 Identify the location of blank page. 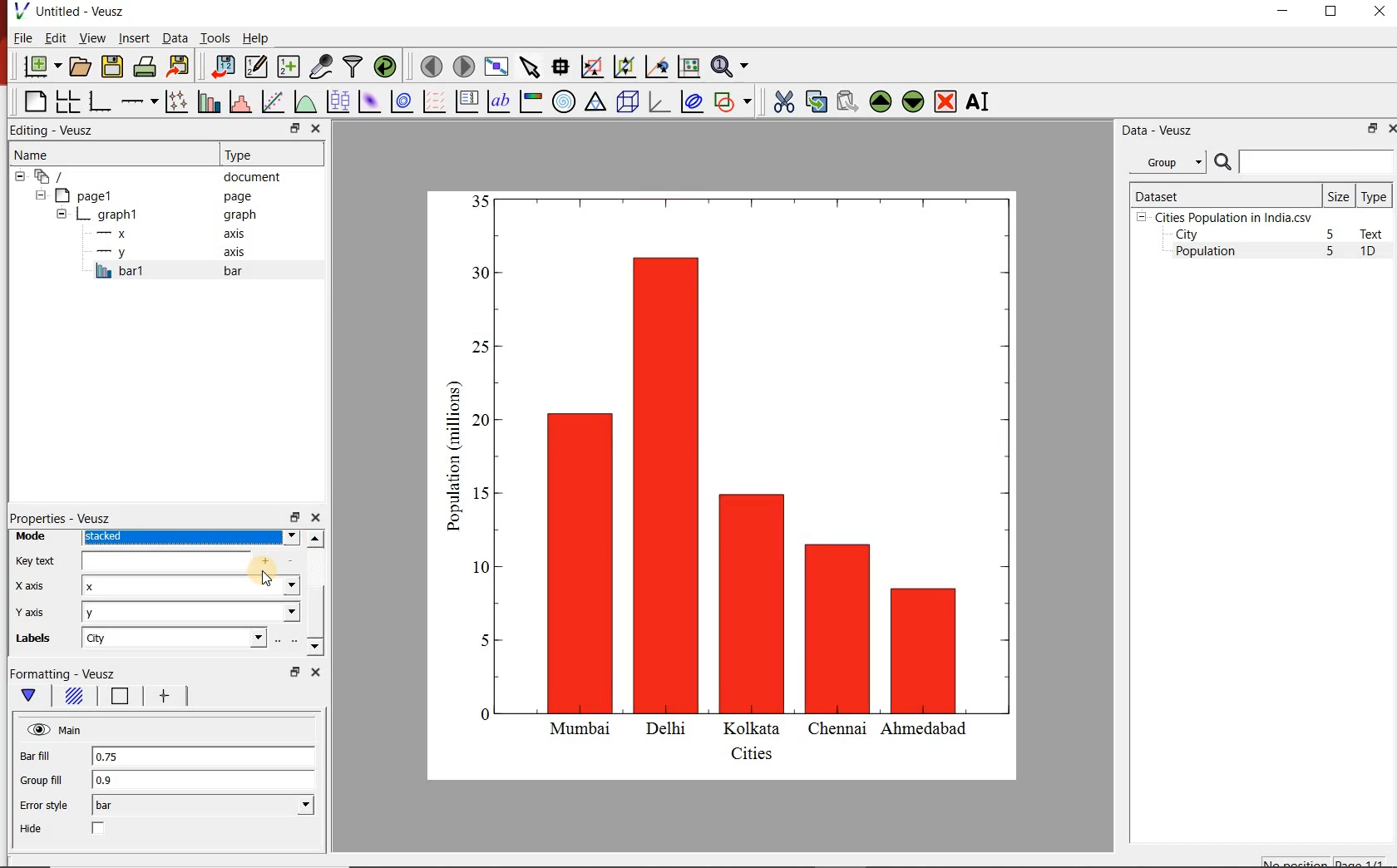
(33, 102).